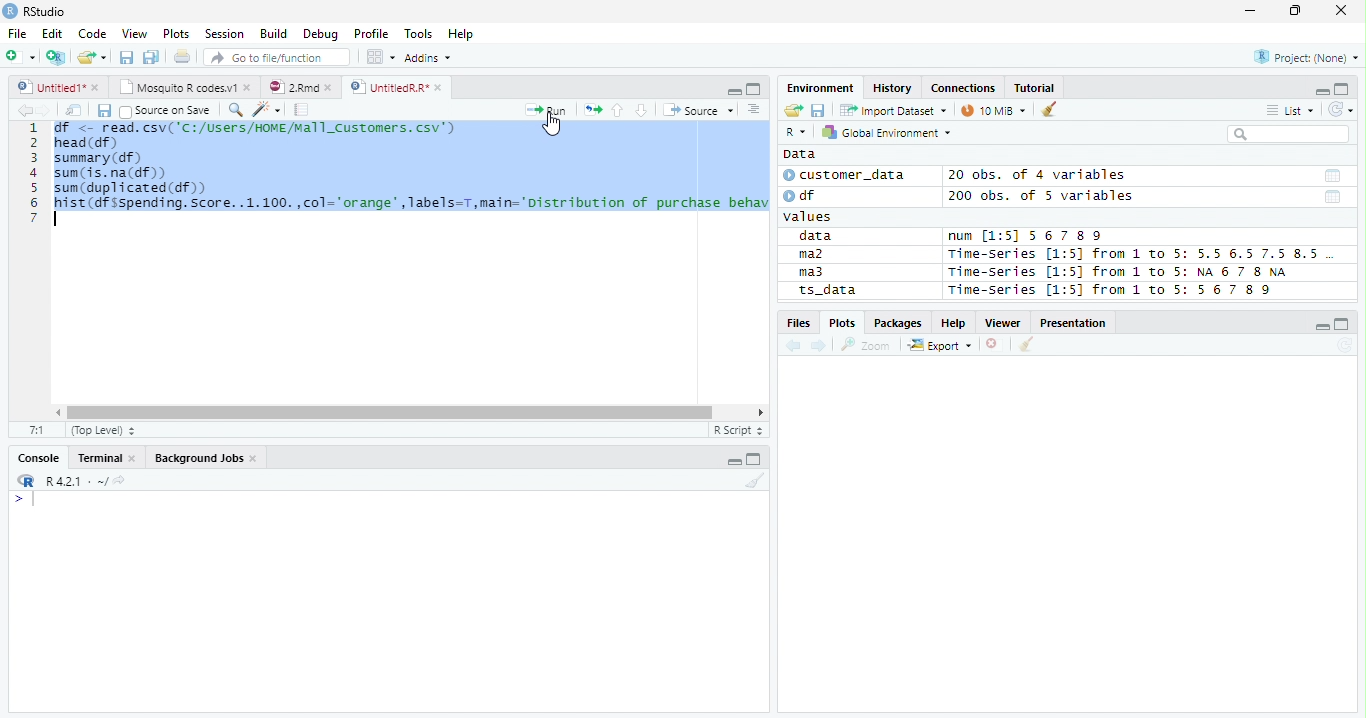 This screenshot has height=718, width=1366. What do you see at coordinates (1038, 198) in the screenshot?
I see `200 obs. of 5 variables` at bounding box center [1038, 198].